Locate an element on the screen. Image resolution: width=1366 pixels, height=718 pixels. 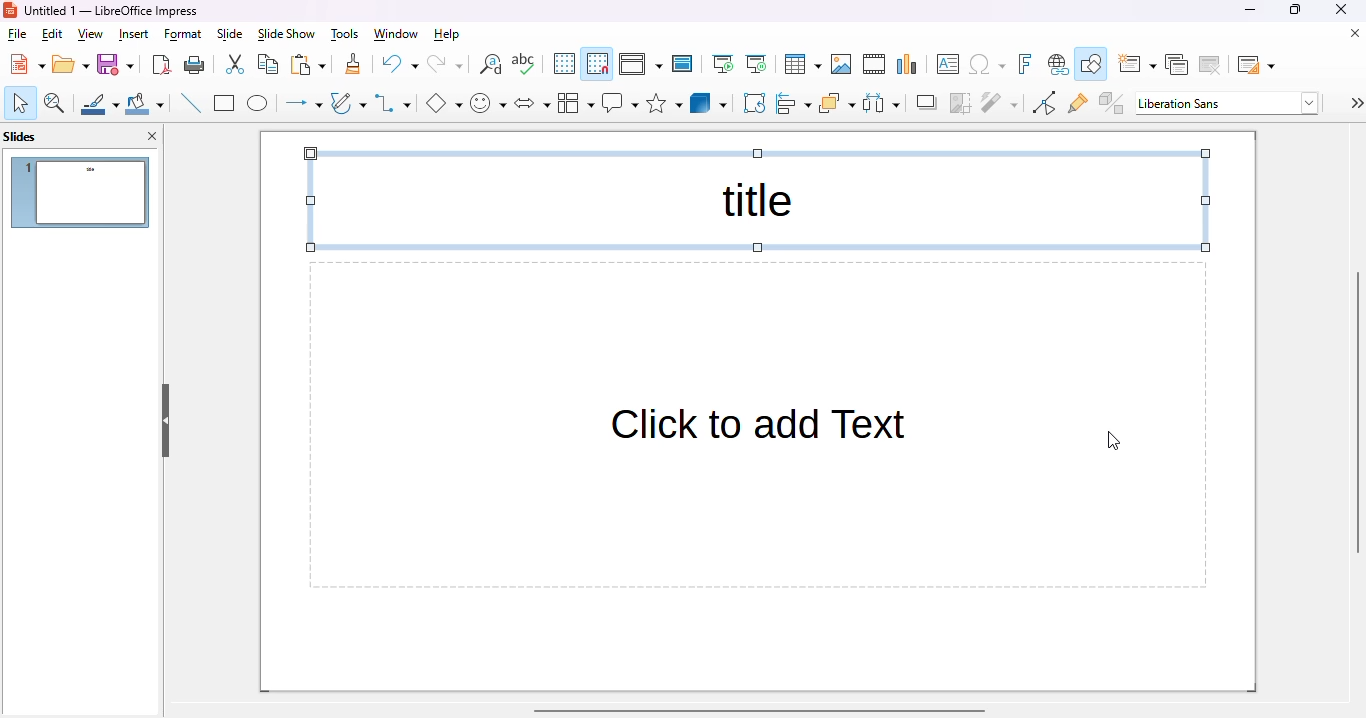
slide 1 is located at coordinates (82, 193).